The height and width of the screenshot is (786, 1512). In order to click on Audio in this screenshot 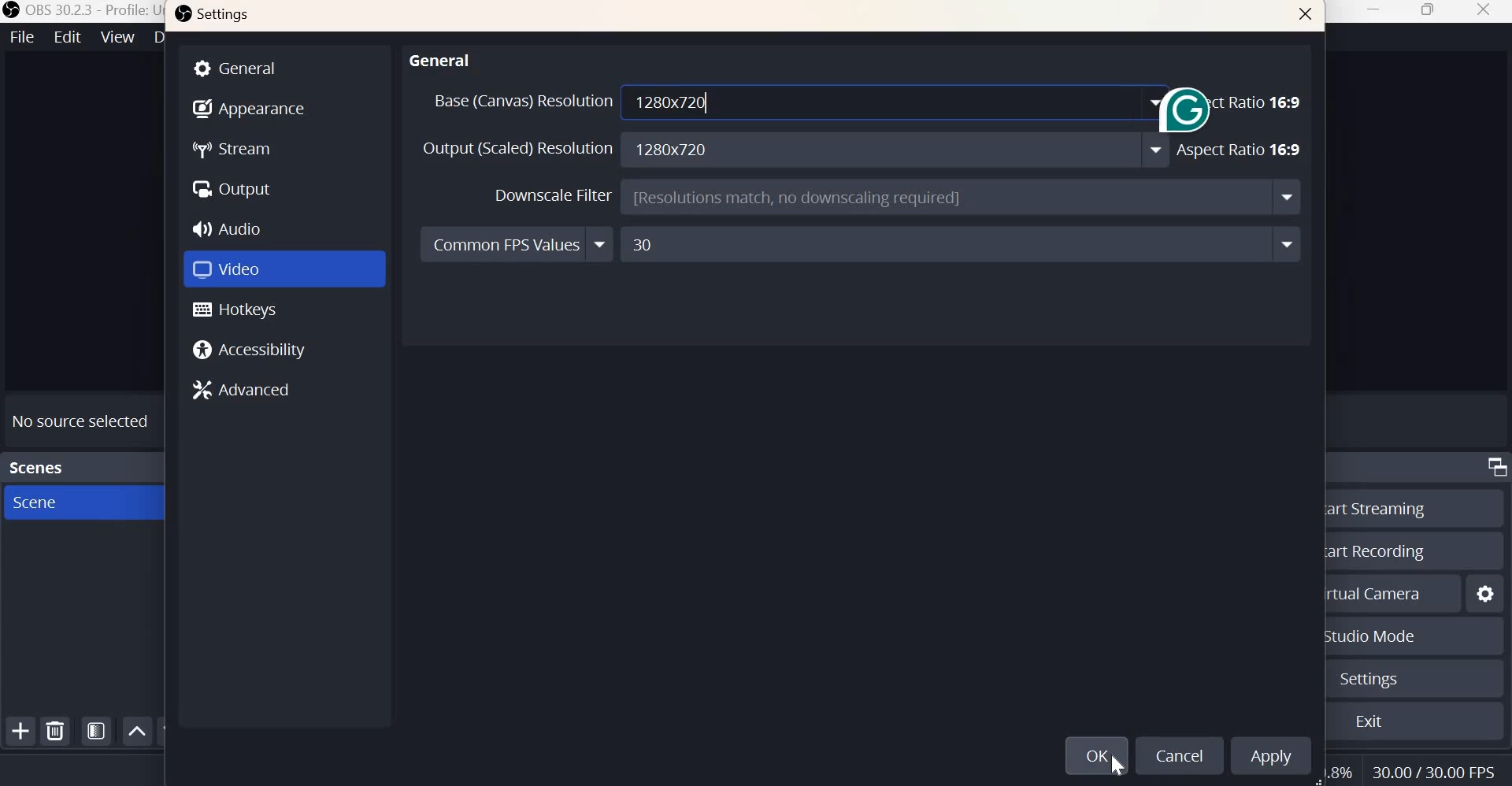, I will do `click(232, 226)`.